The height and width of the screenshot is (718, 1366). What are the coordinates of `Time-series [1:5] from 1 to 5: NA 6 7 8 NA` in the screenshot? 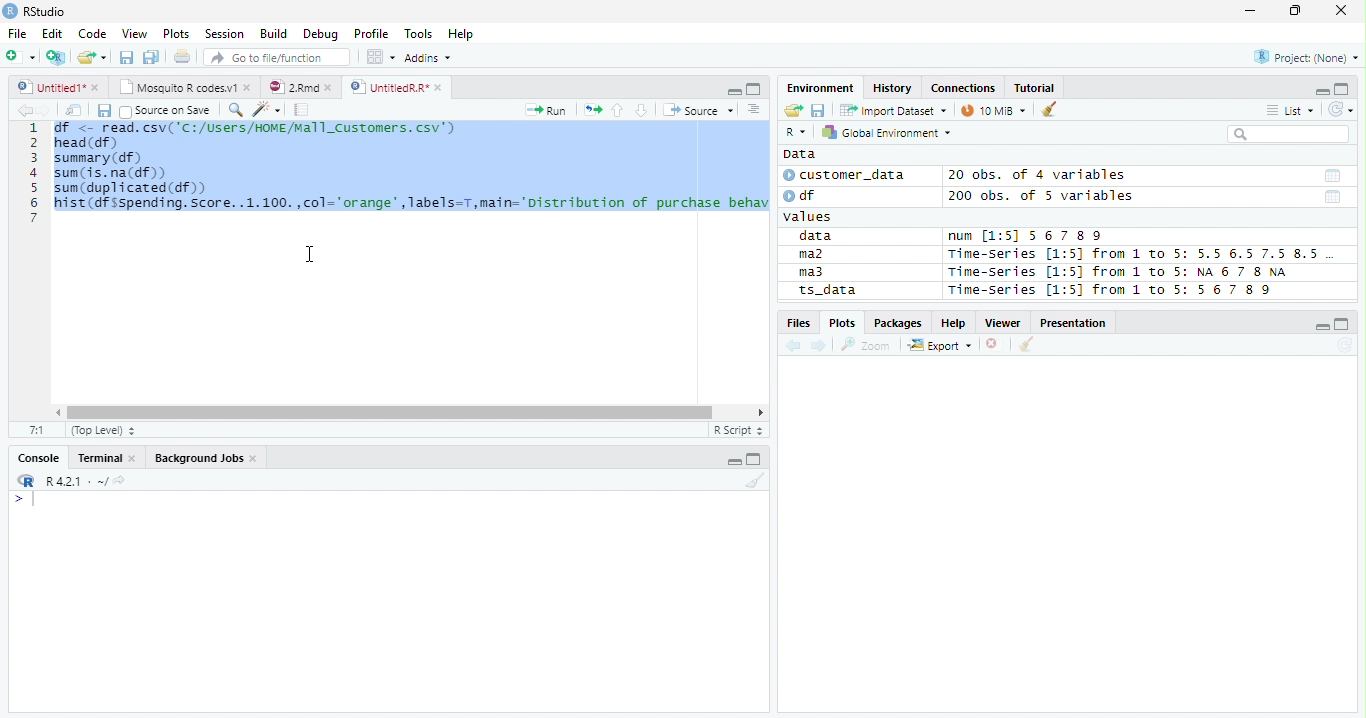 It's located at (1126, 273).